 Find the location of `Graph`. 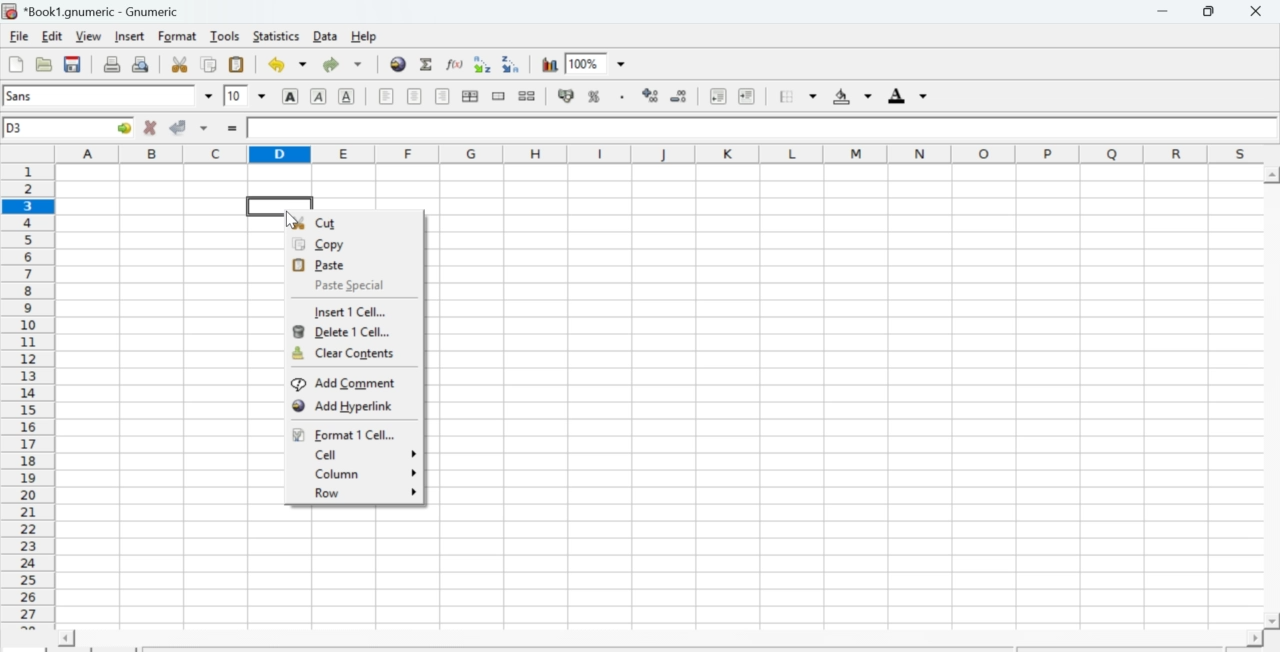

Graph is located at coordinates (550, 63).